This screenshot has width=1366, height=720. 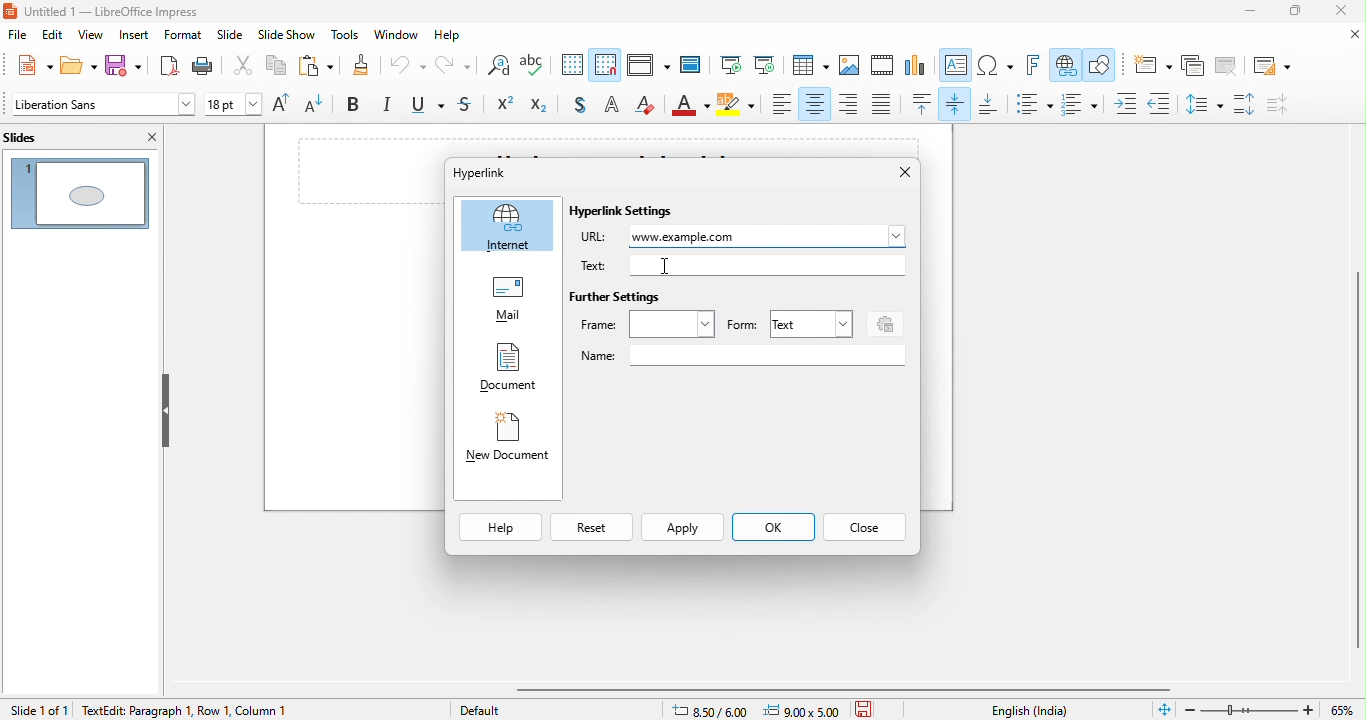 What do you see at coordinates (742, 356) in the screenshot?
I see `name` at bounding box center [742, 356].